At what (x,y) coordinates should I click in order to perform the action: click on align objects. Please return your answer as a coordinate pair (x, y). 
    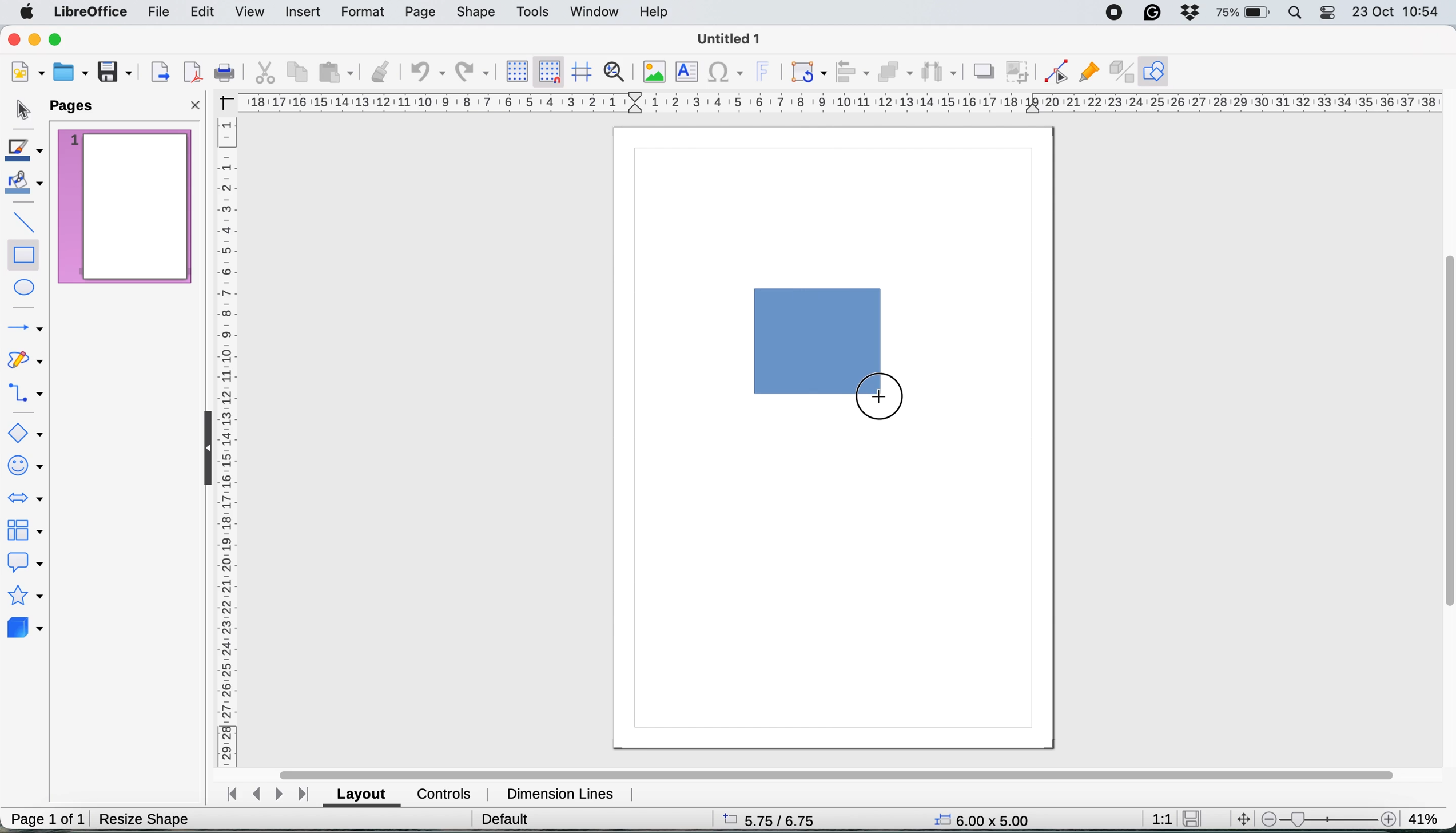
    Looking at the image, I should click on (852, 72).